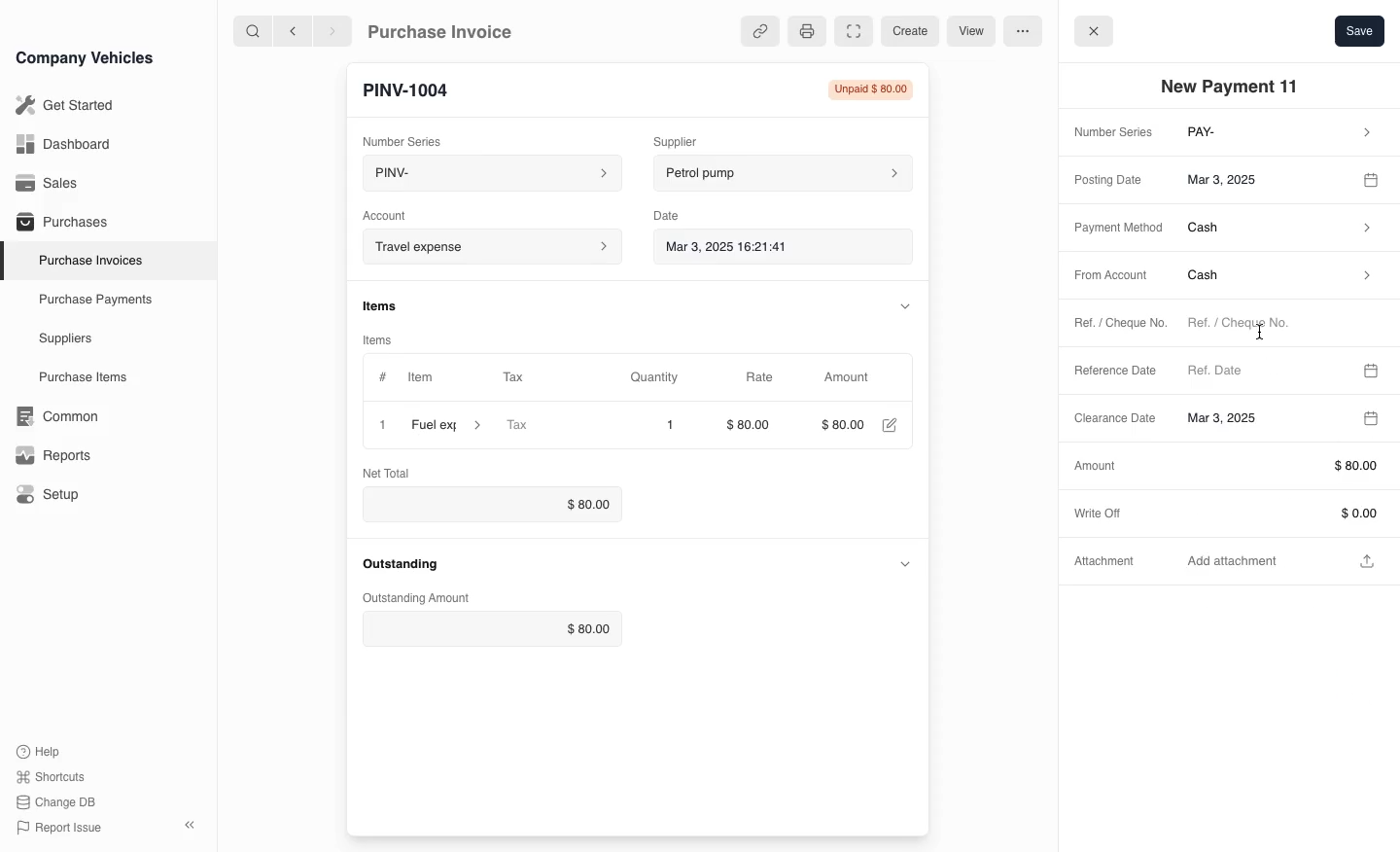 The width and height of the screenshot is (1400, 852). What do you see at coordinates (1261, 332) in the screenshot?
I see `cursor` at bounding box center [1261, 332].